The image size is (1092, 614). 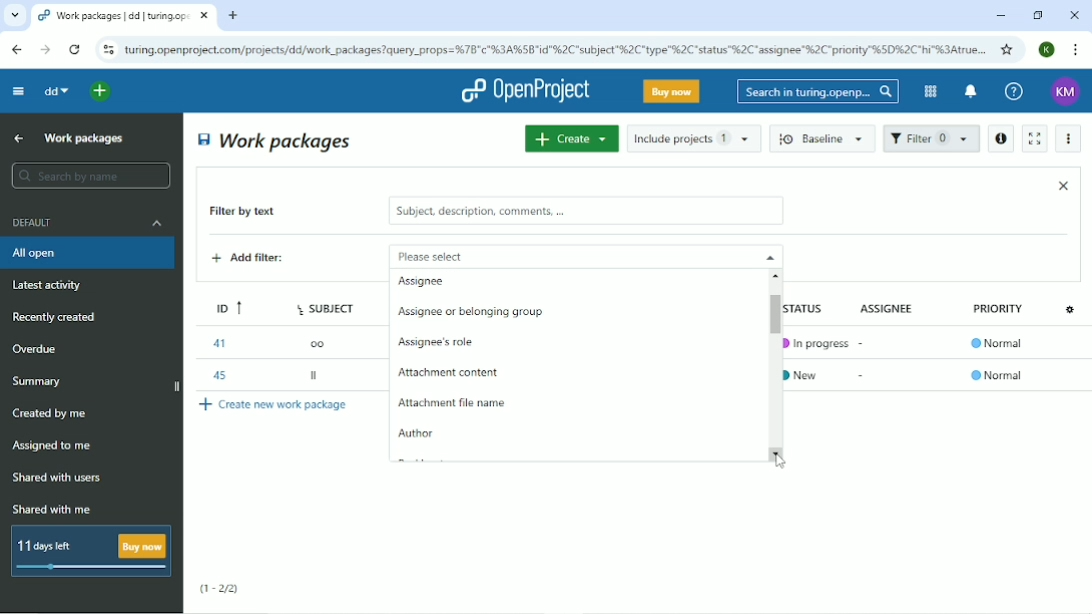 What do you see at coordinates (694, 138) in the screenshot?
I see `Include projects 1` at bounding box center [694, 138].